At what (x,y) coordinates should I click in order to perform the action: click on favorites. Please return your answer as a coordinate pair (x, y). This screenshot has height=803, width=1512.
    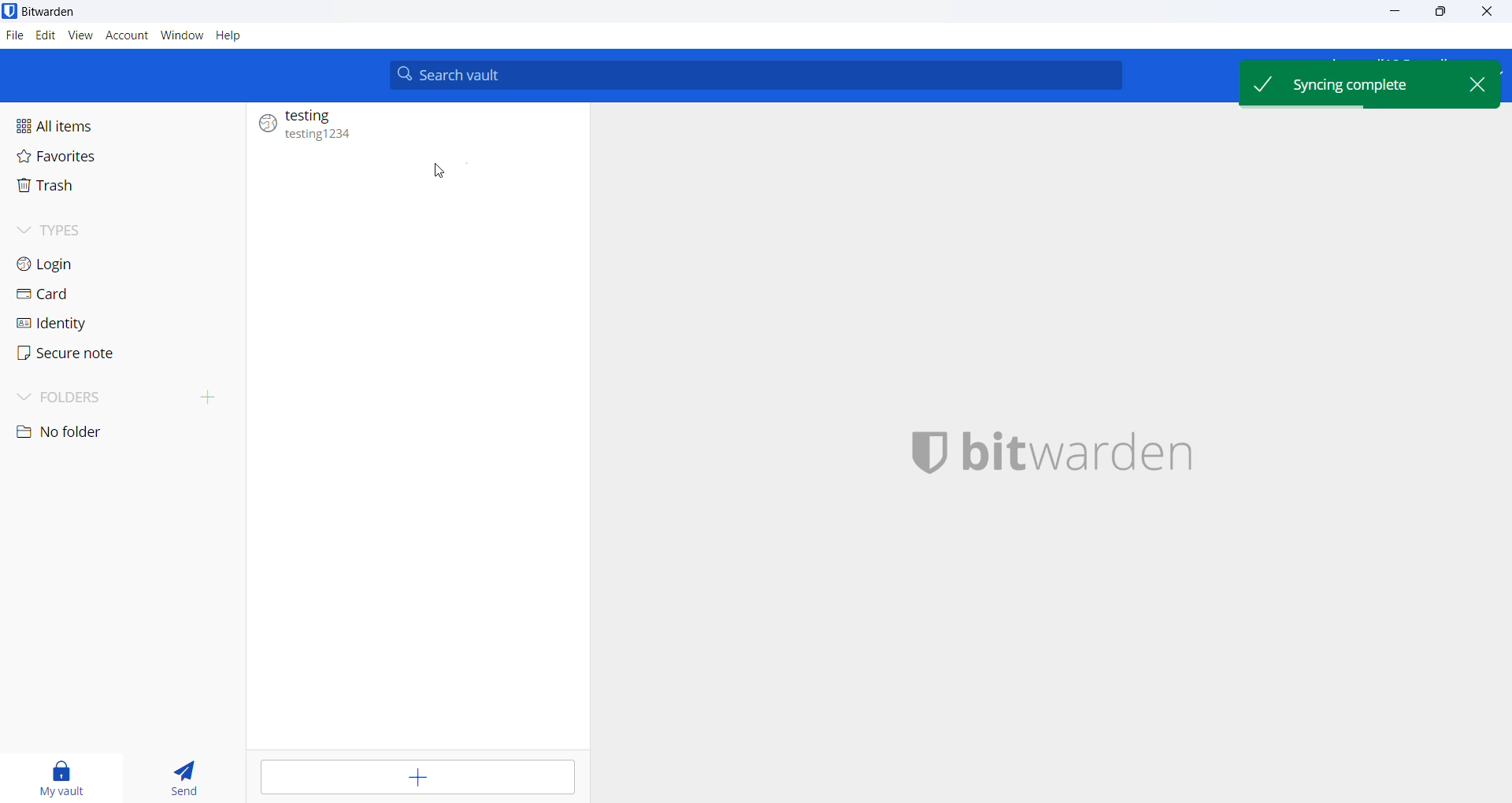
    Looking at the image, I should click on (77, 161).